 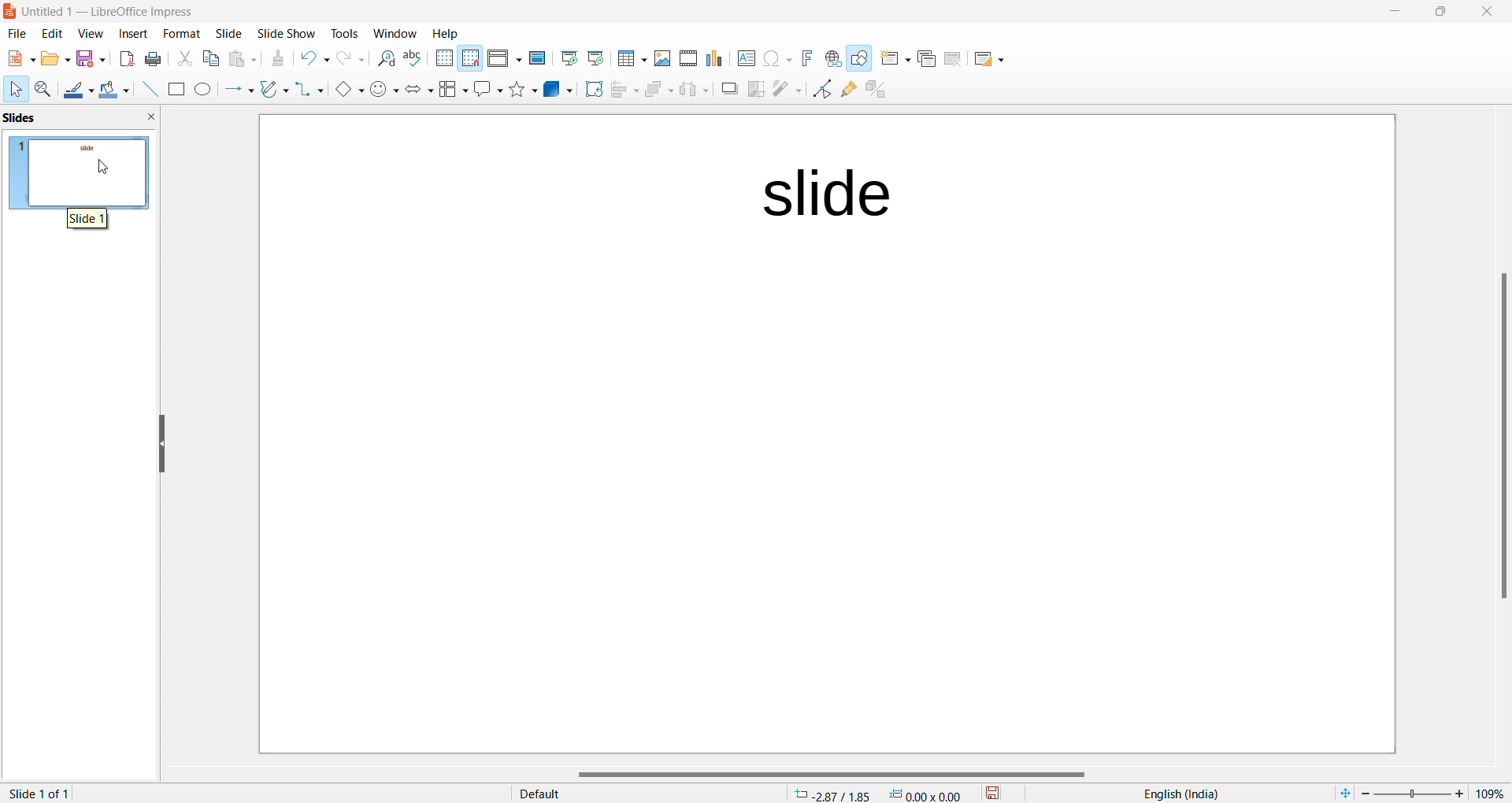 I want to click on Arrange, so click(x=655, y=92).